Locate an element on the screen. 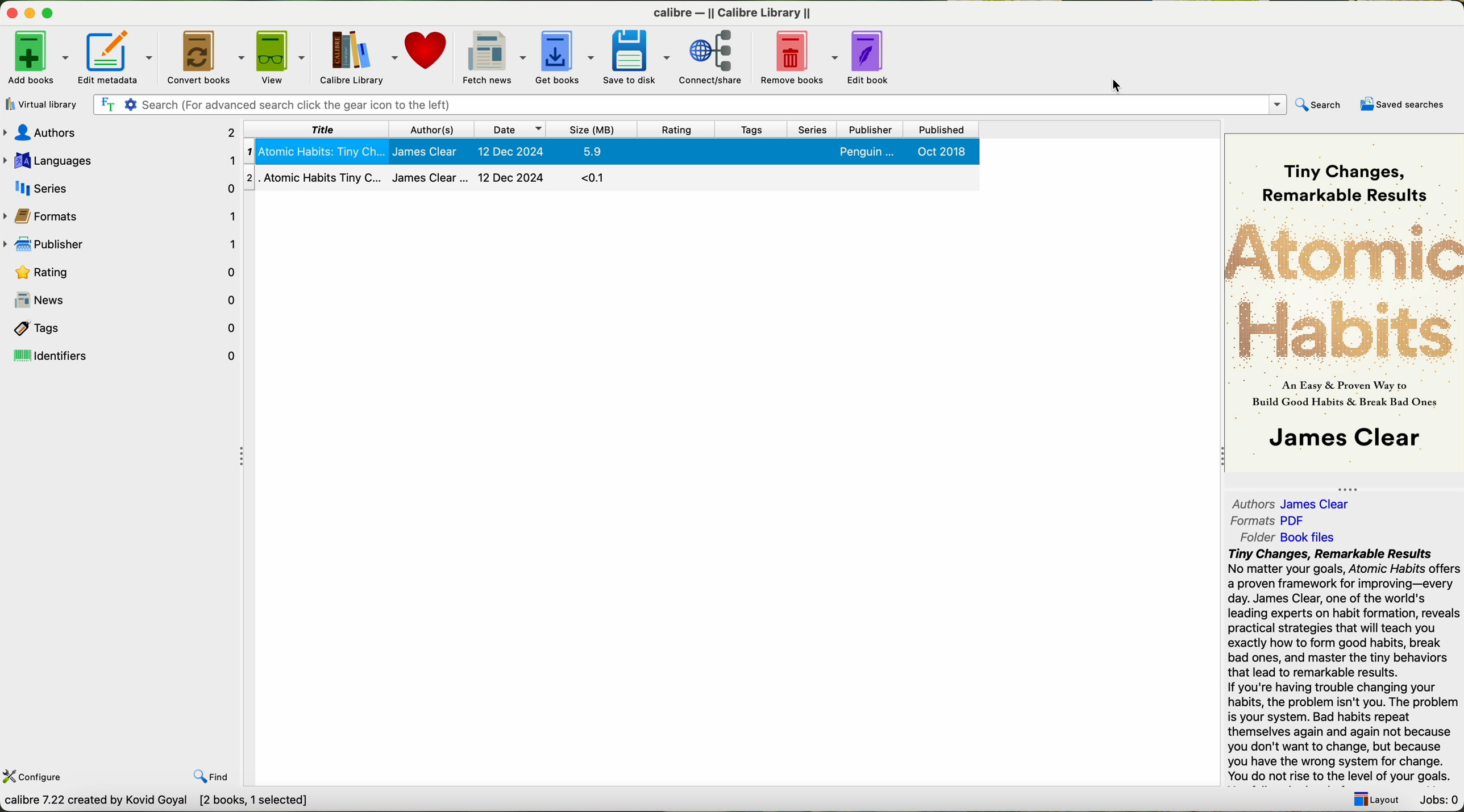  tags is located at coordinates (123, 328).